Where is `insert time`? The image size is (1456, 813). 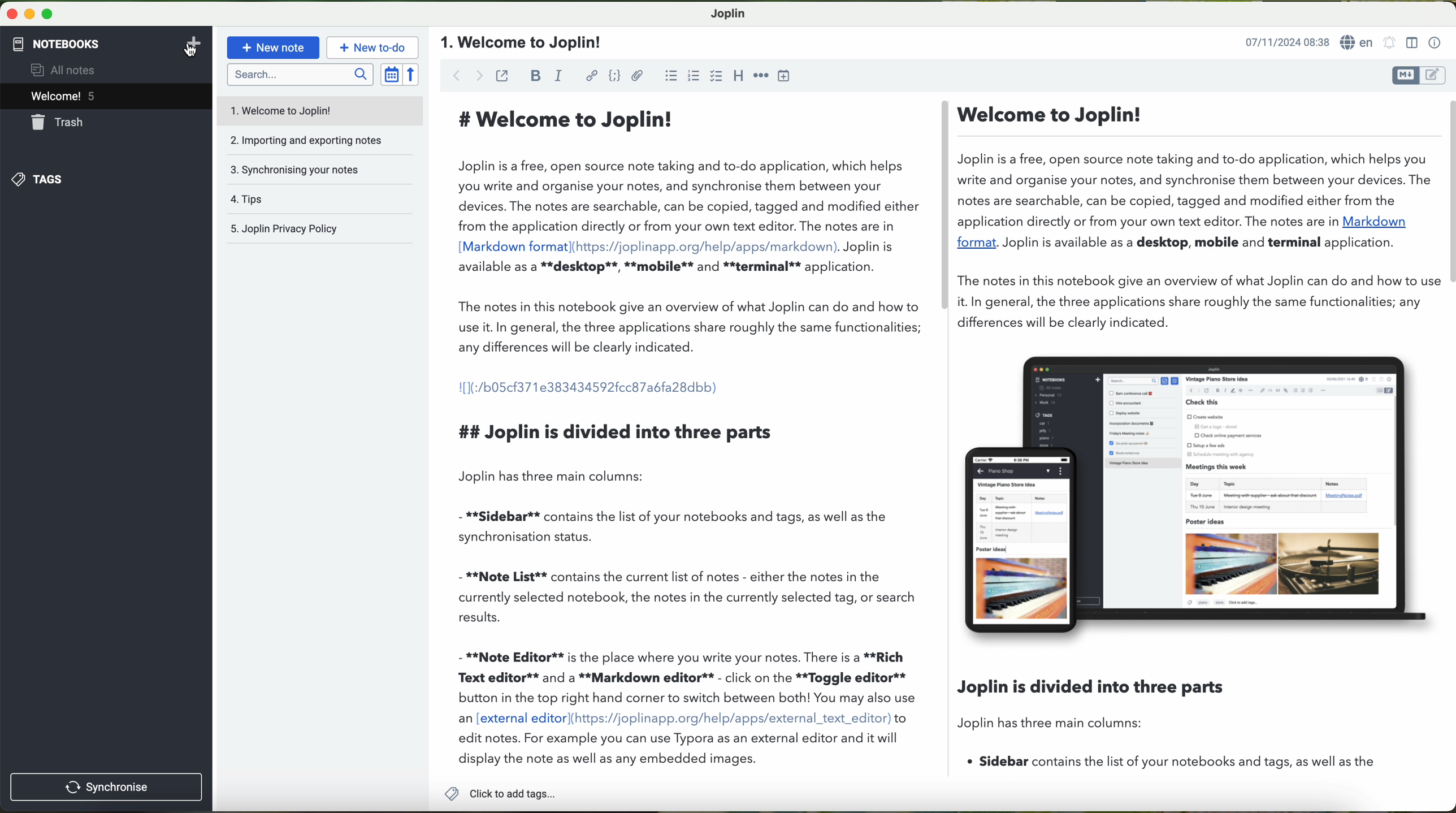 insert time is located at coordinates (785, 75).